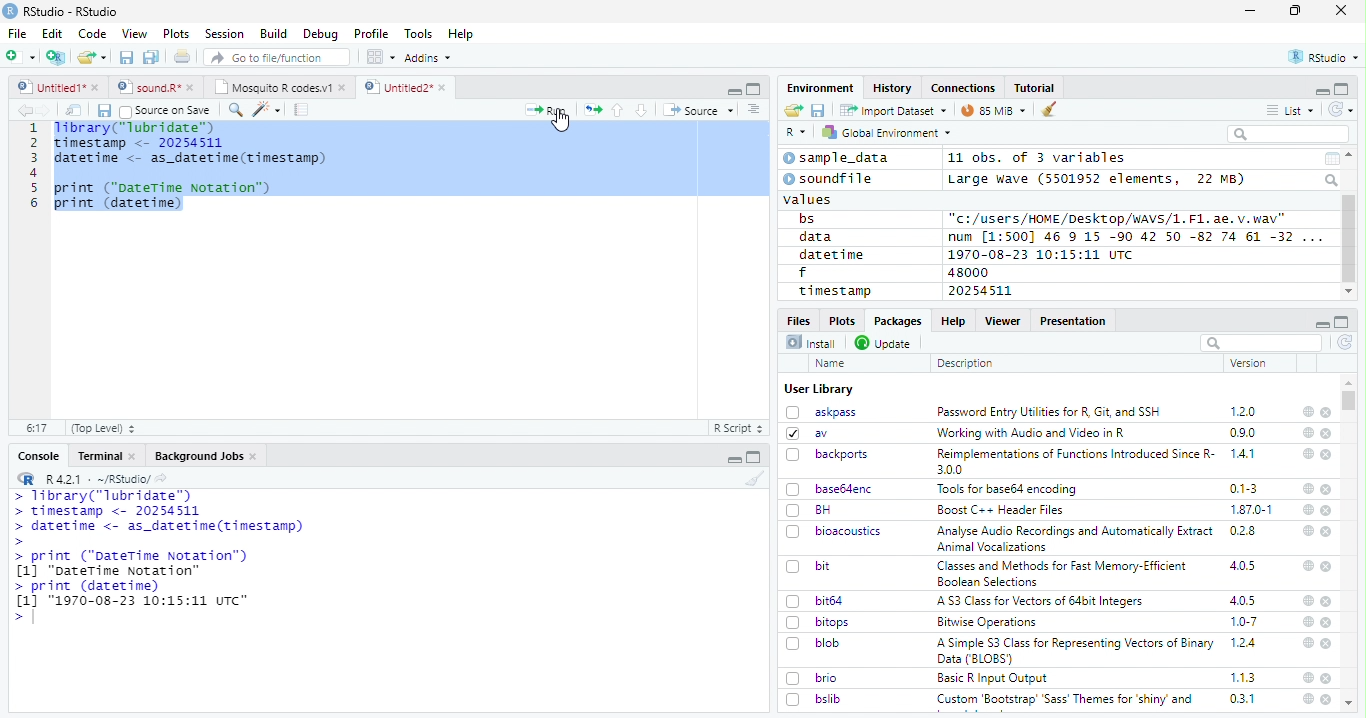 The width and height of the screenshot is (1366, 718). Describe the element at coordinates (1038, 159) in the screenshot. I see `11 obs. of 3 variables` at that location.